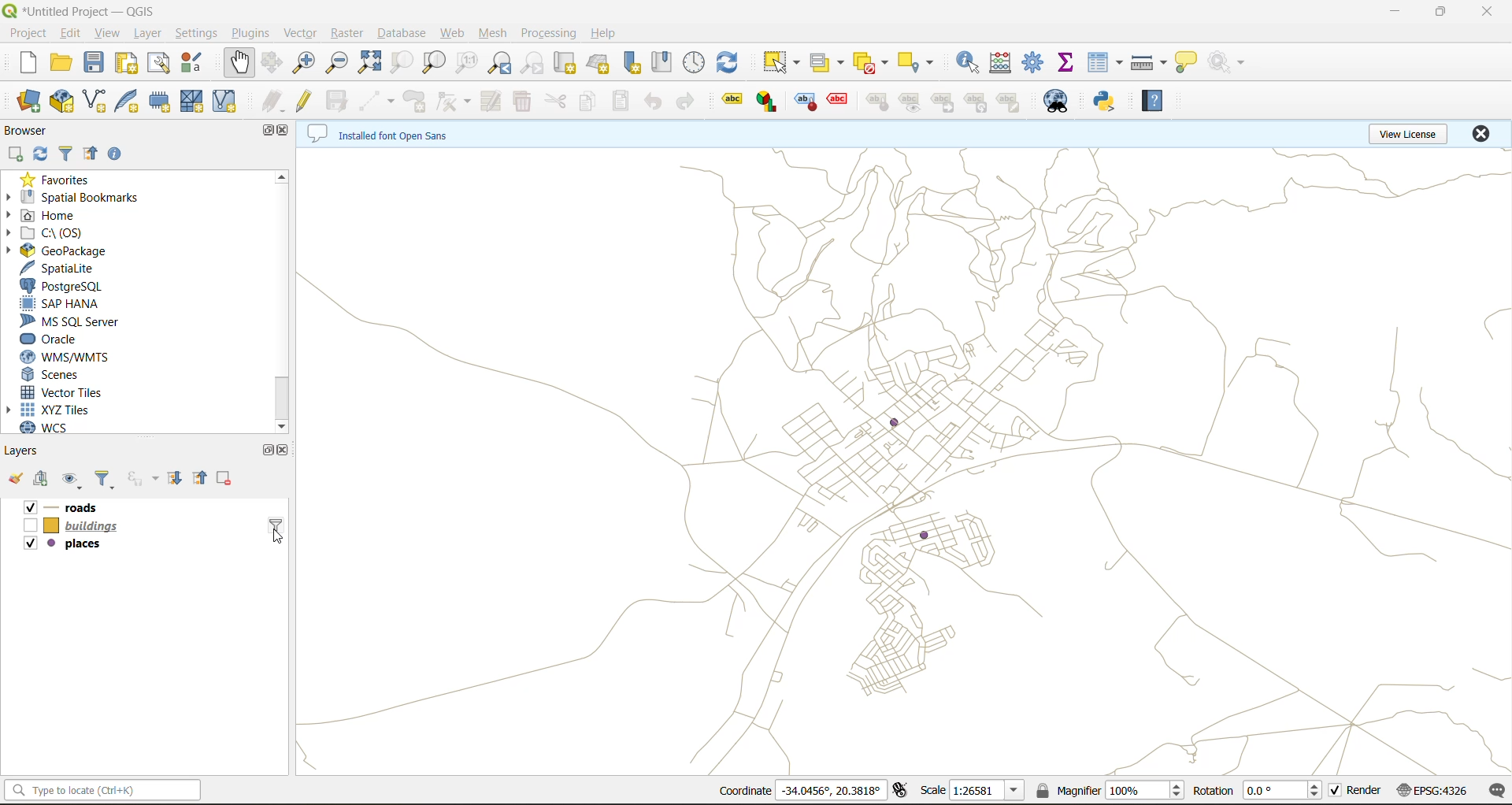 This screenshot has height=805, width=1512. What do you see at coordinates (472, 62) in the screenshot?
I see `zoom native` at bounding box center [472, 62].